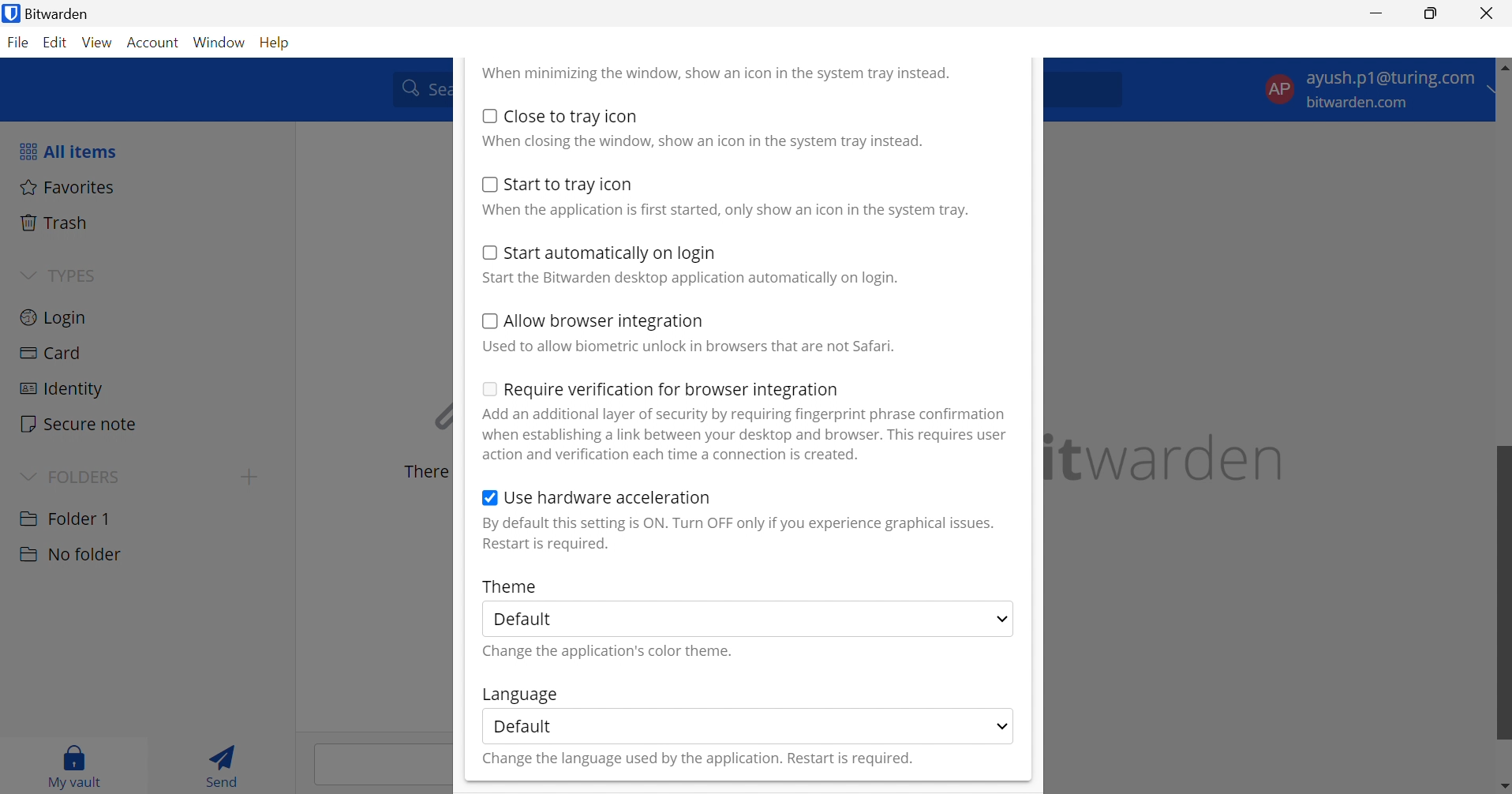 The width and height of the screenshot is (1512, 794). Describe the element at coordinates (1169, 458) in the screenshot. I see `bitwarden` at that location.